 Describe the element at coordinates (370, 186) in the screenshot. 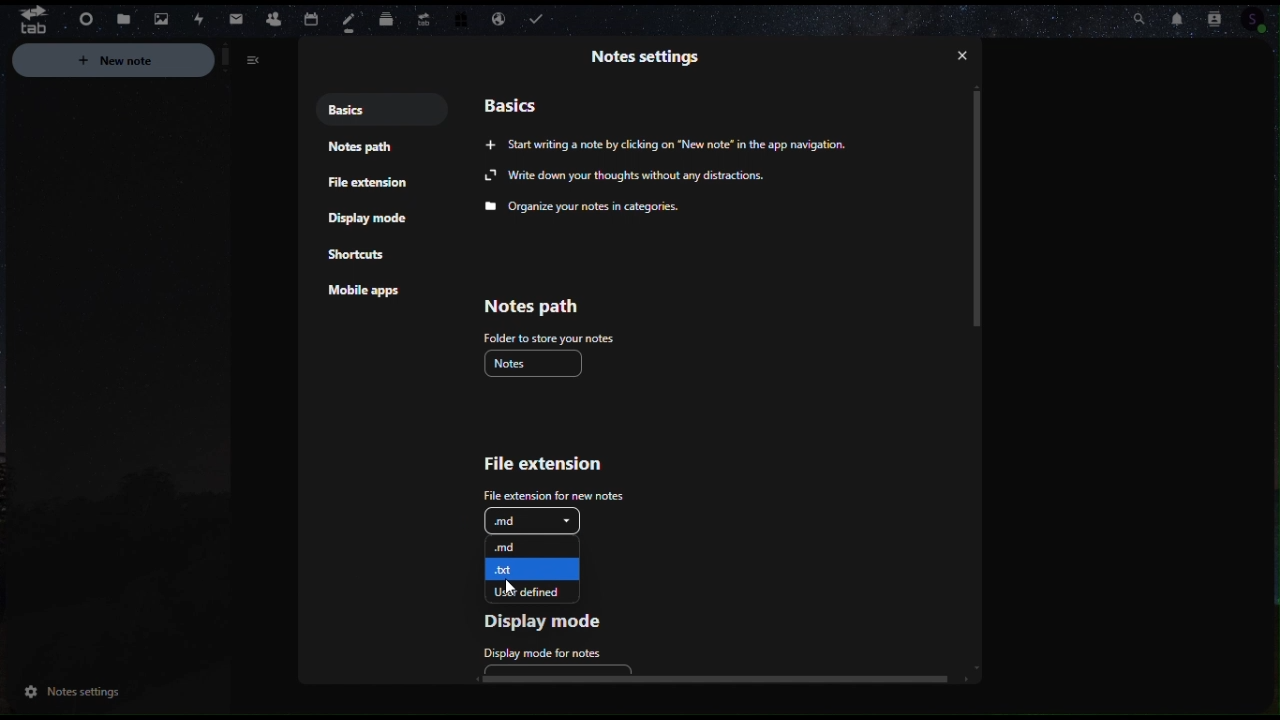

I see `File extension` at that location.